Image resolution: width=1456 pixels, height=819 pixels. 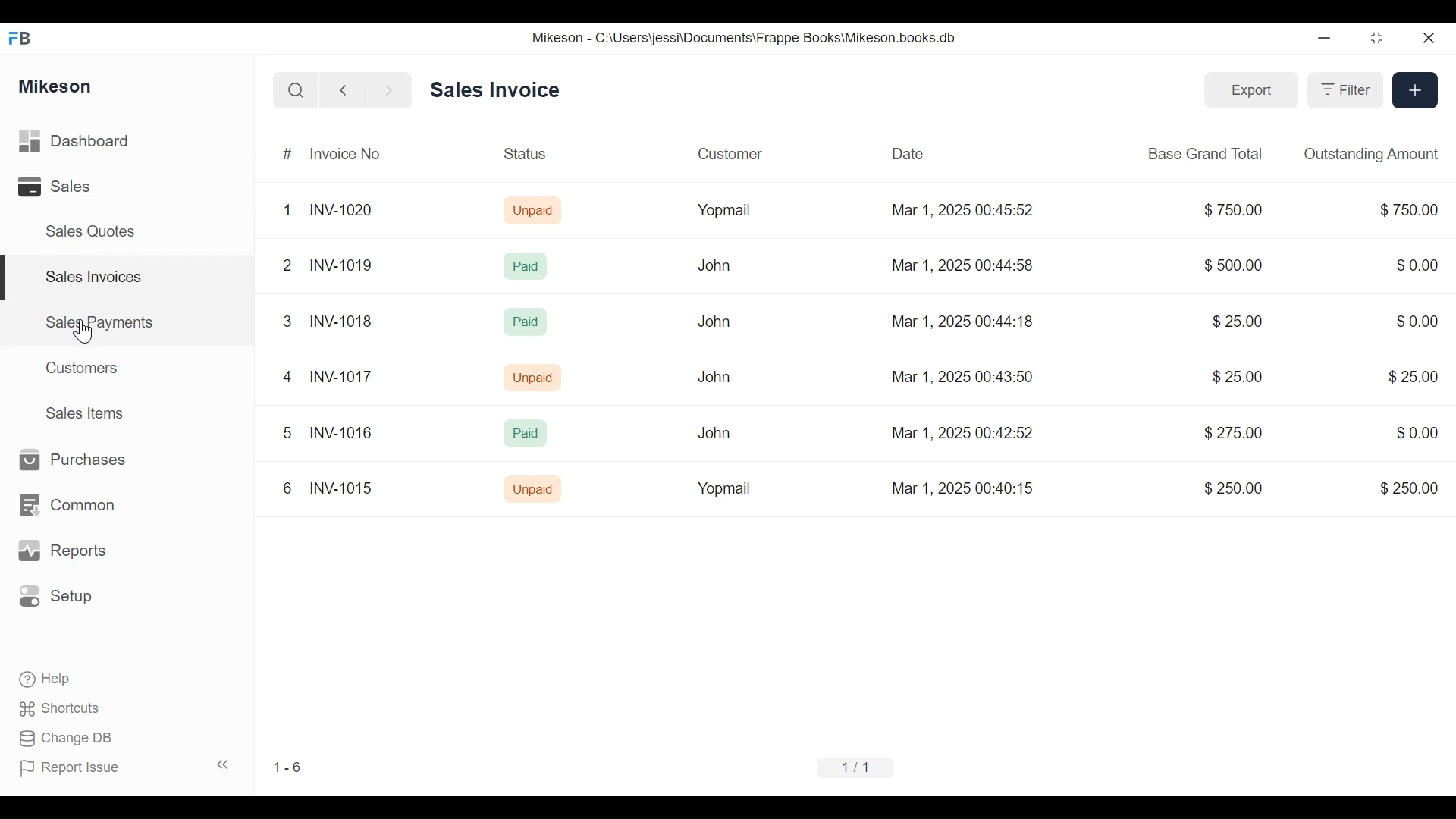 What do you see at coordinates (83, 231) in the screenshot?
I see `Sales Quotes` at bounding box center [83, 231].